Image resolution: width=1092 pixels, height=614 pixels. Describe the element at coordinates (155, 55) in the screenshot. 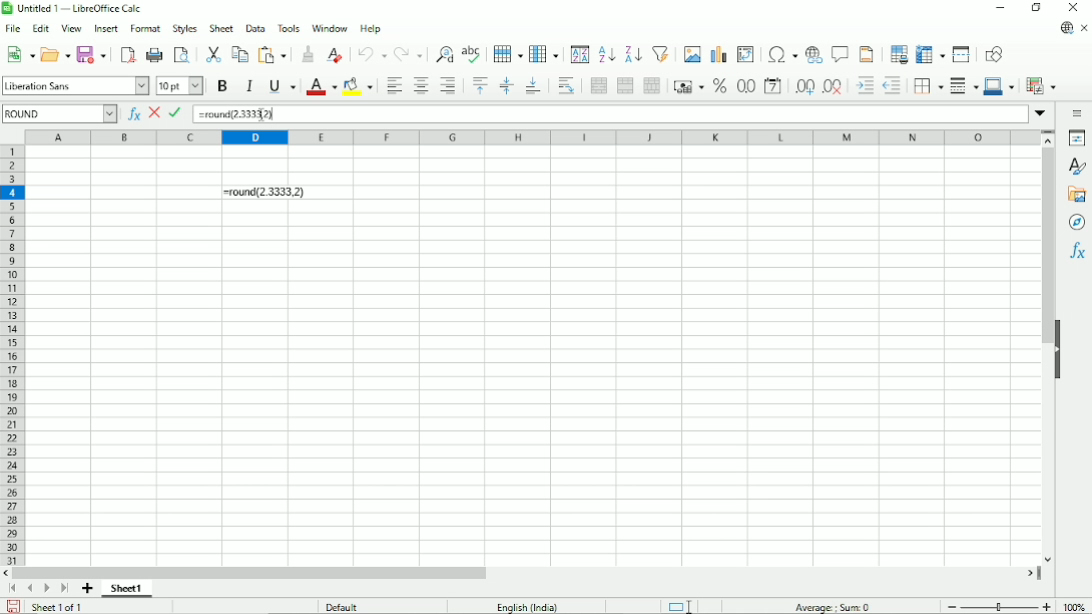

I see `print` at that location.